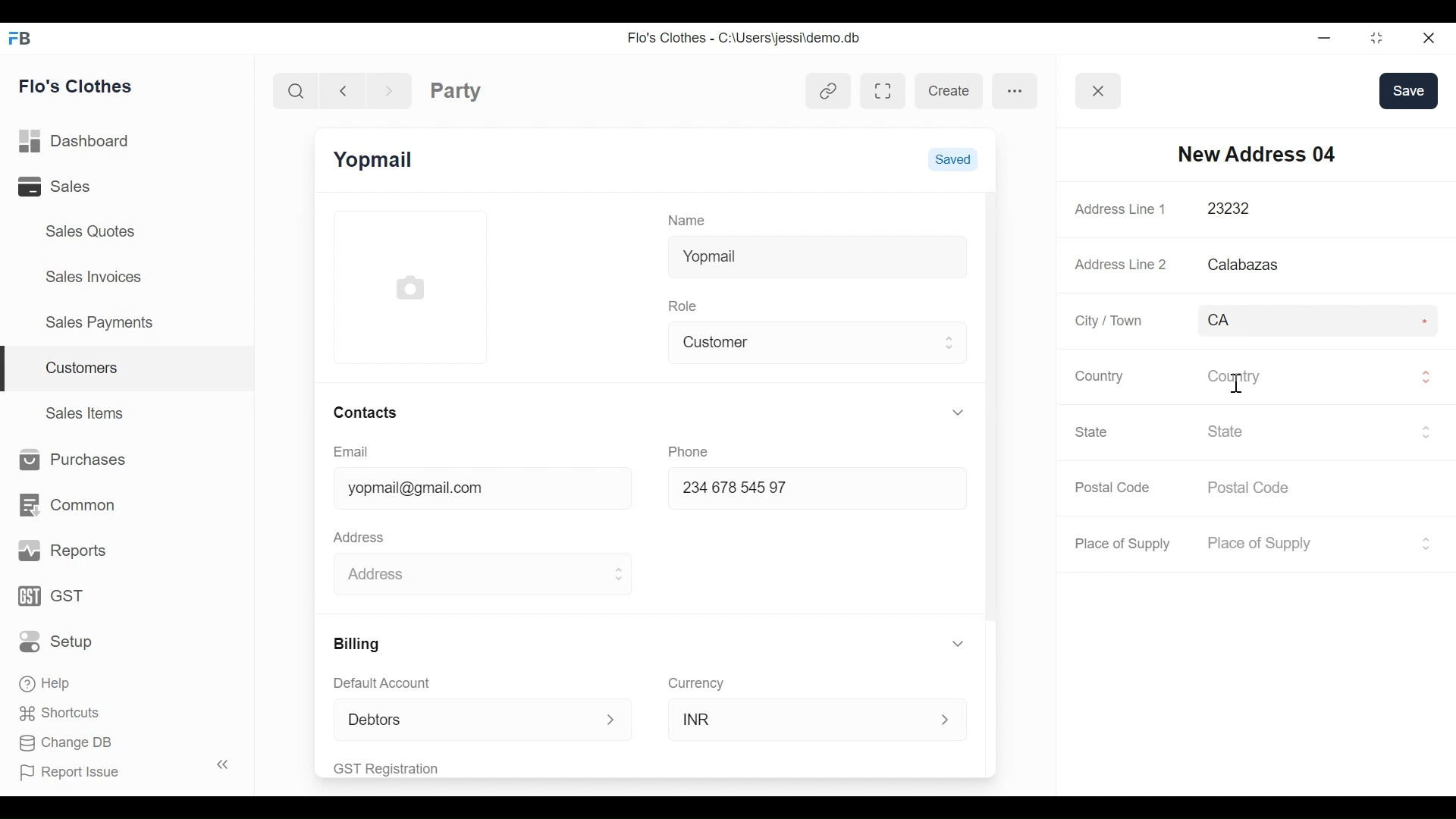  Describe the element at coordinates (1125, 544) in the screenshot. I see `Place of Supply` at that location.